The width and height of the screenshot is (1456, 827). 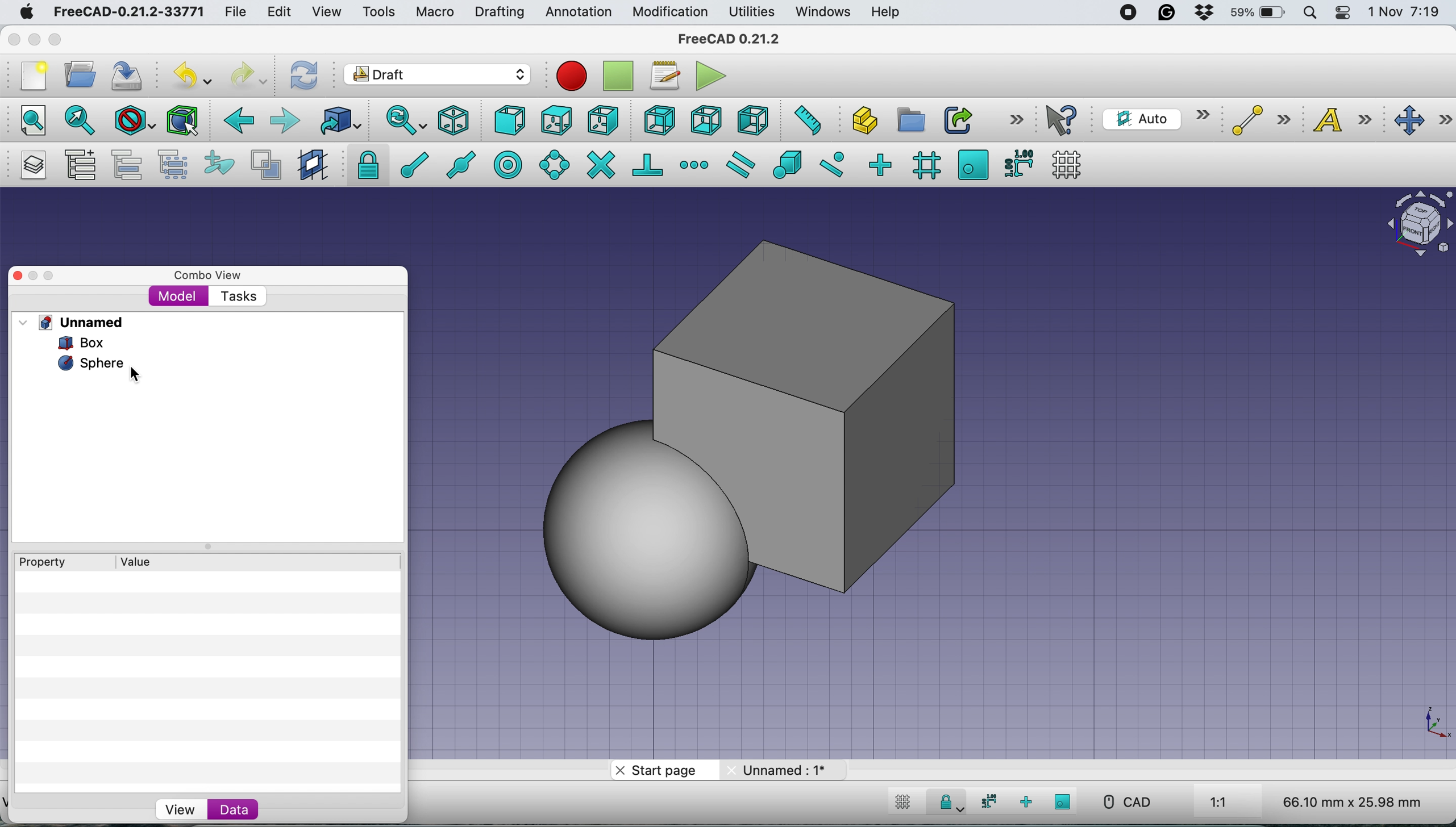 What do you see at coordinates (738, 165) in the screenshot?
I see `snap parallel` at bounding box center [738, 165].